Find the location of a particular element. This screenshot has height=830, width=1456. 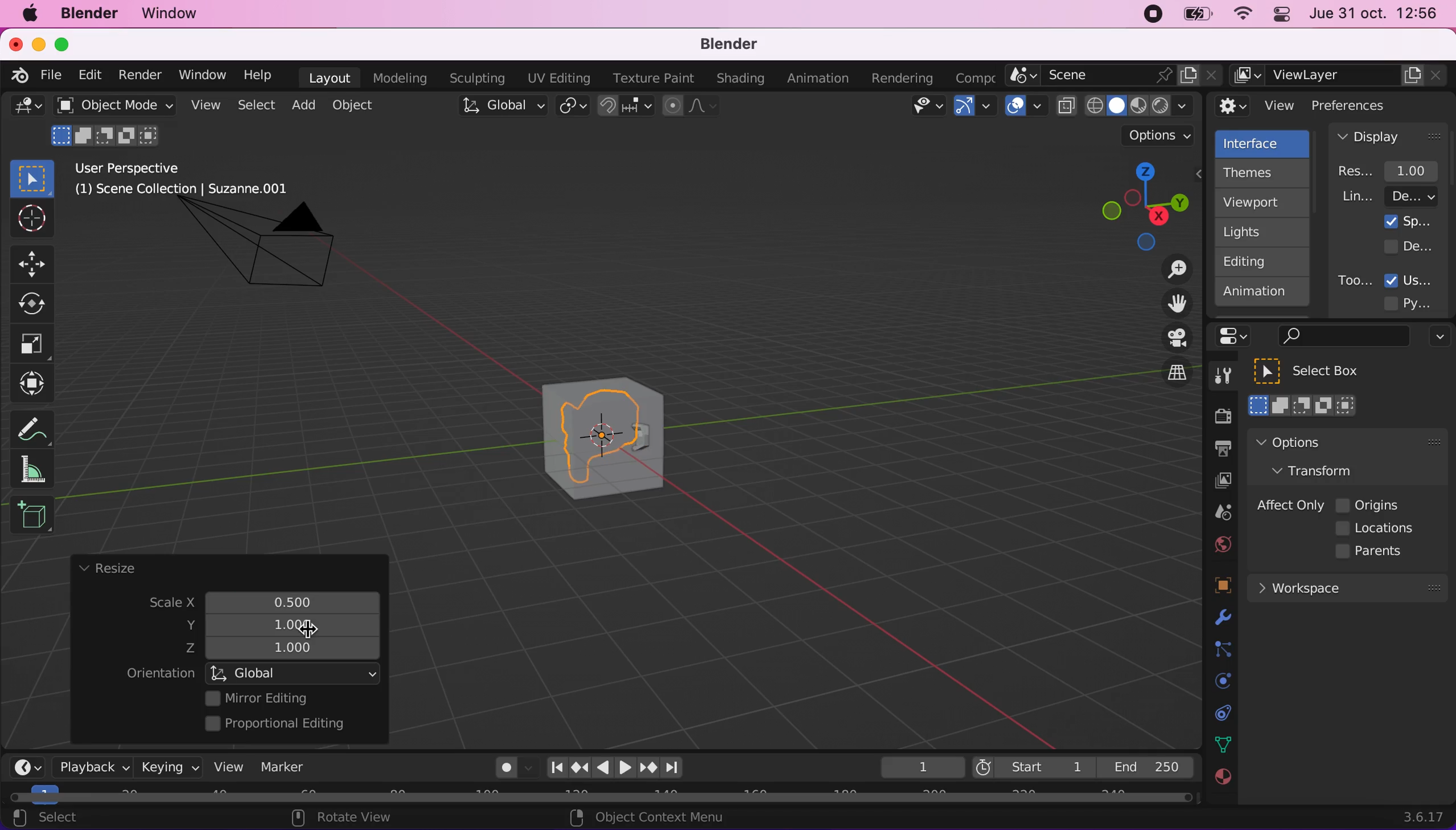

view layer is located at coordinates (1217, 482).